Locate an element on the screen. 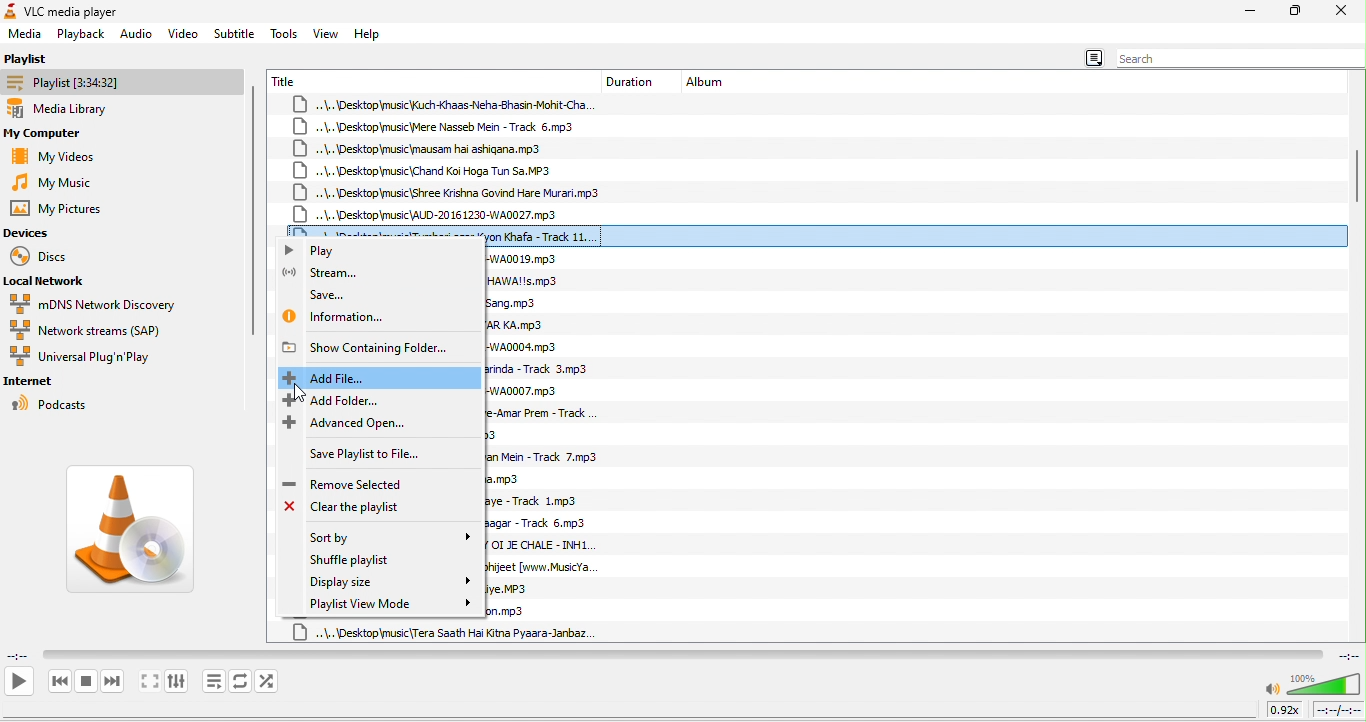 This screenshot has height=722, width=1366. sort by is located at coordinates (387, 538).